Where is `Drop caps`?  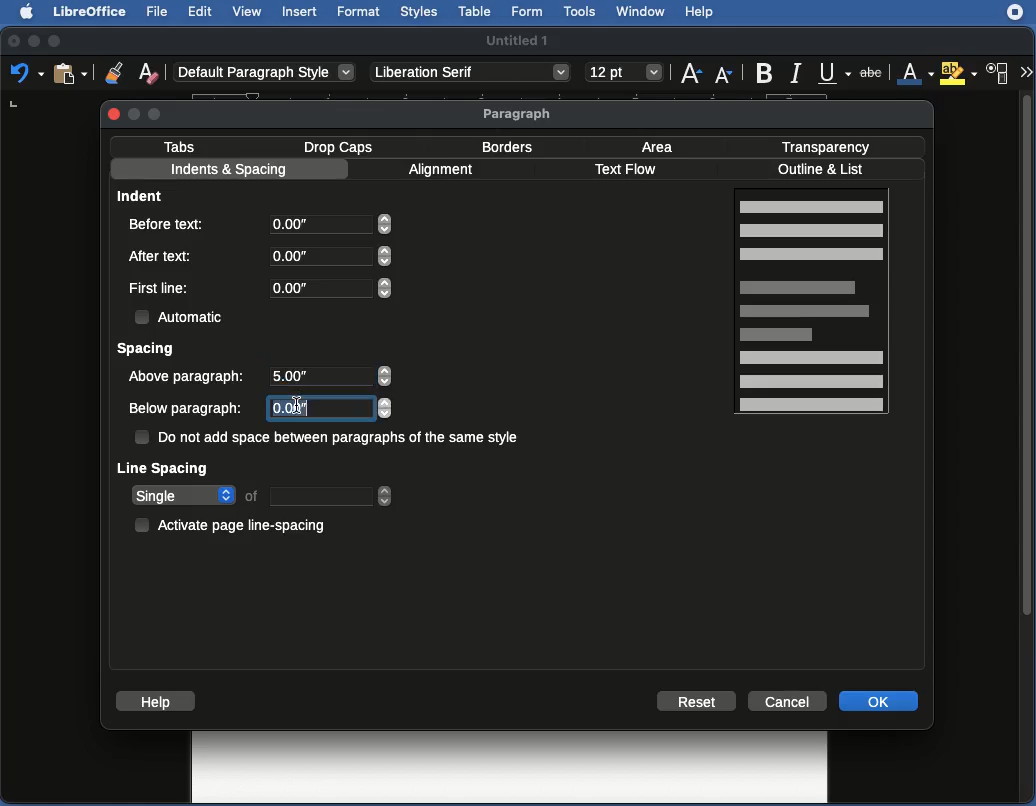
Drop caps is located at coordinates (342, 146).